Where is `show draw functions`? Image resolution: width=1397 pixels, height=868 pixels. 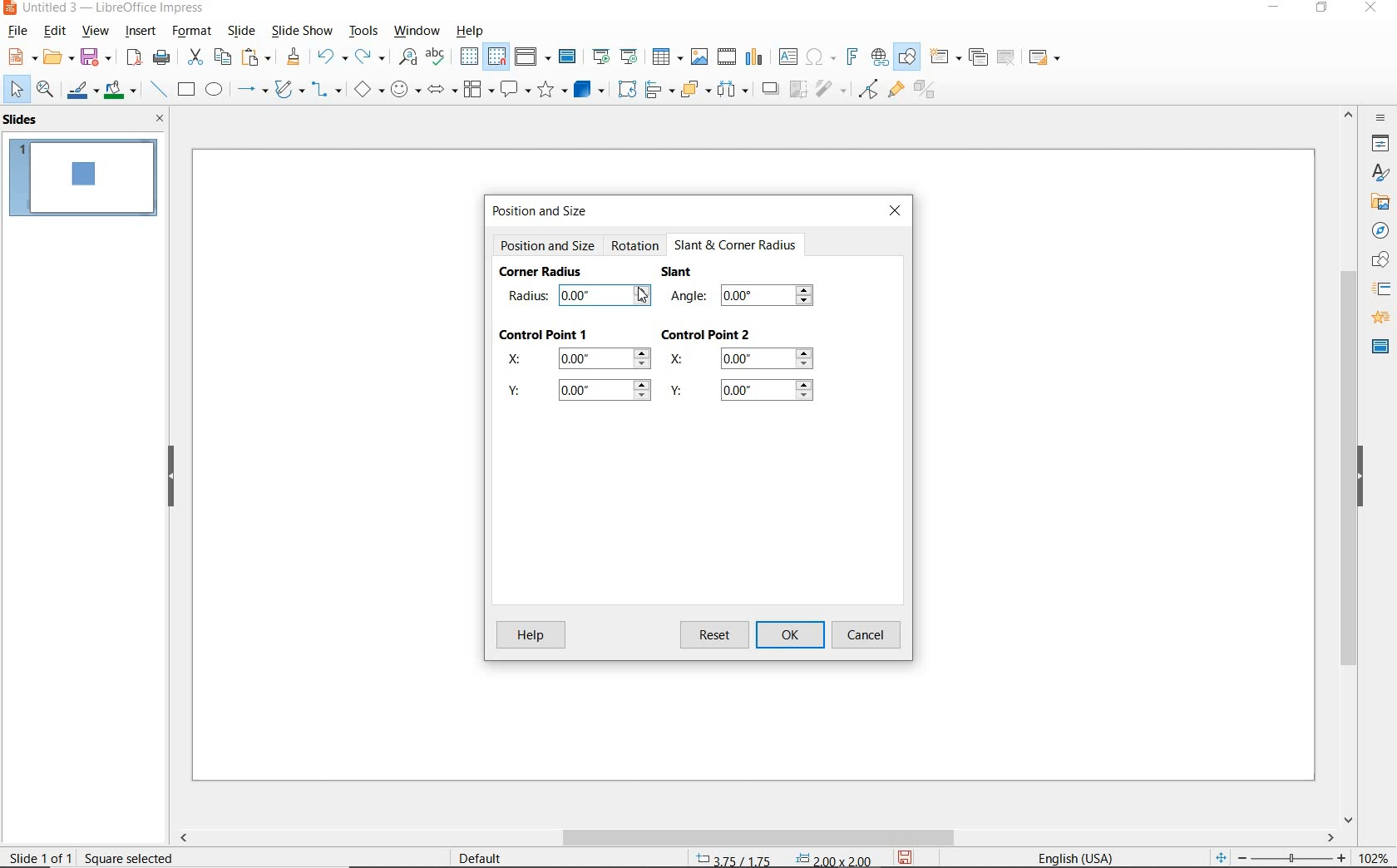
show draw functions is located at coordinates (909, 57).